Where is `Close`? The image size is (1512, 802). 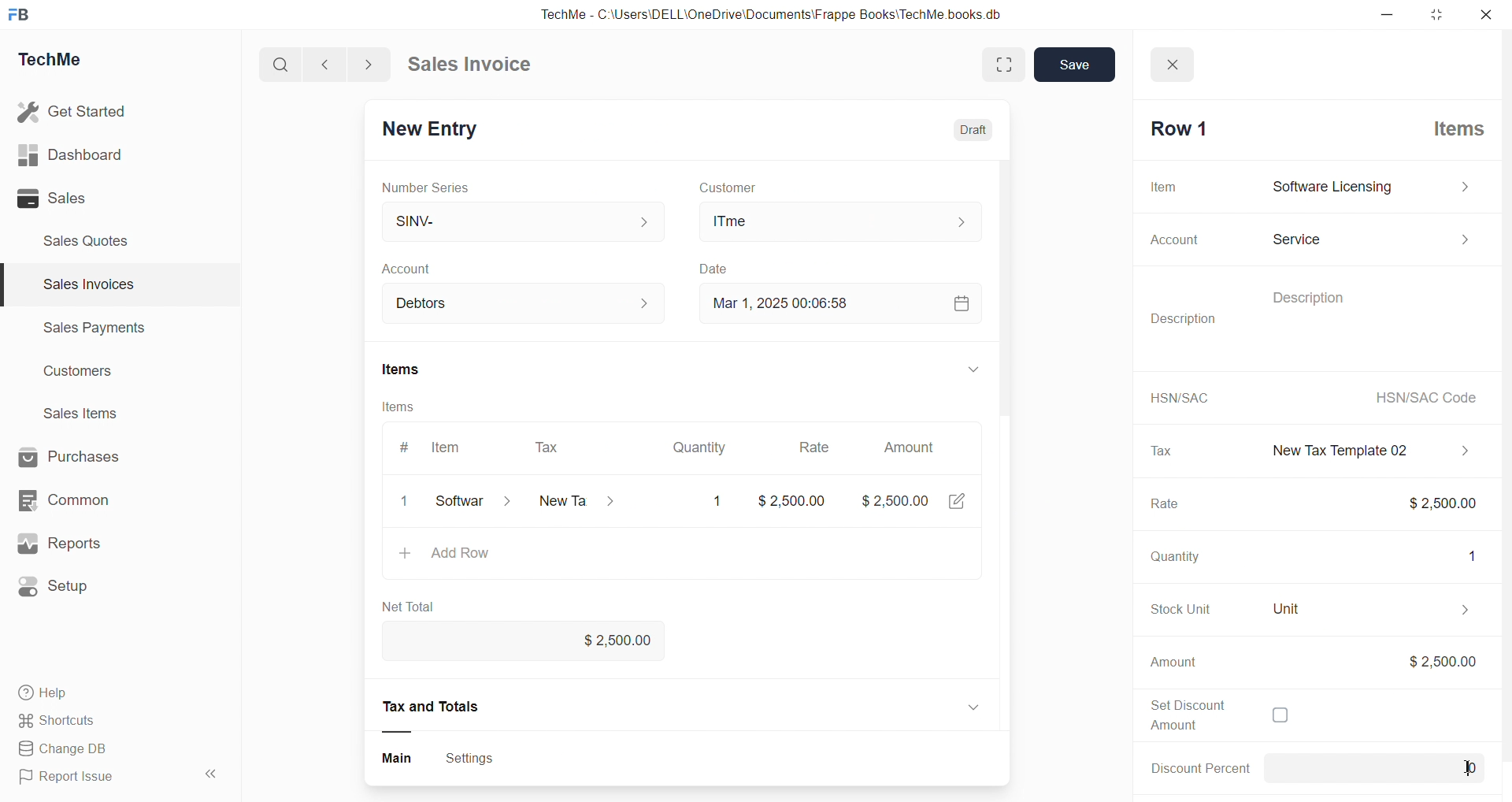 Close is located at coordinates (1177, 60).